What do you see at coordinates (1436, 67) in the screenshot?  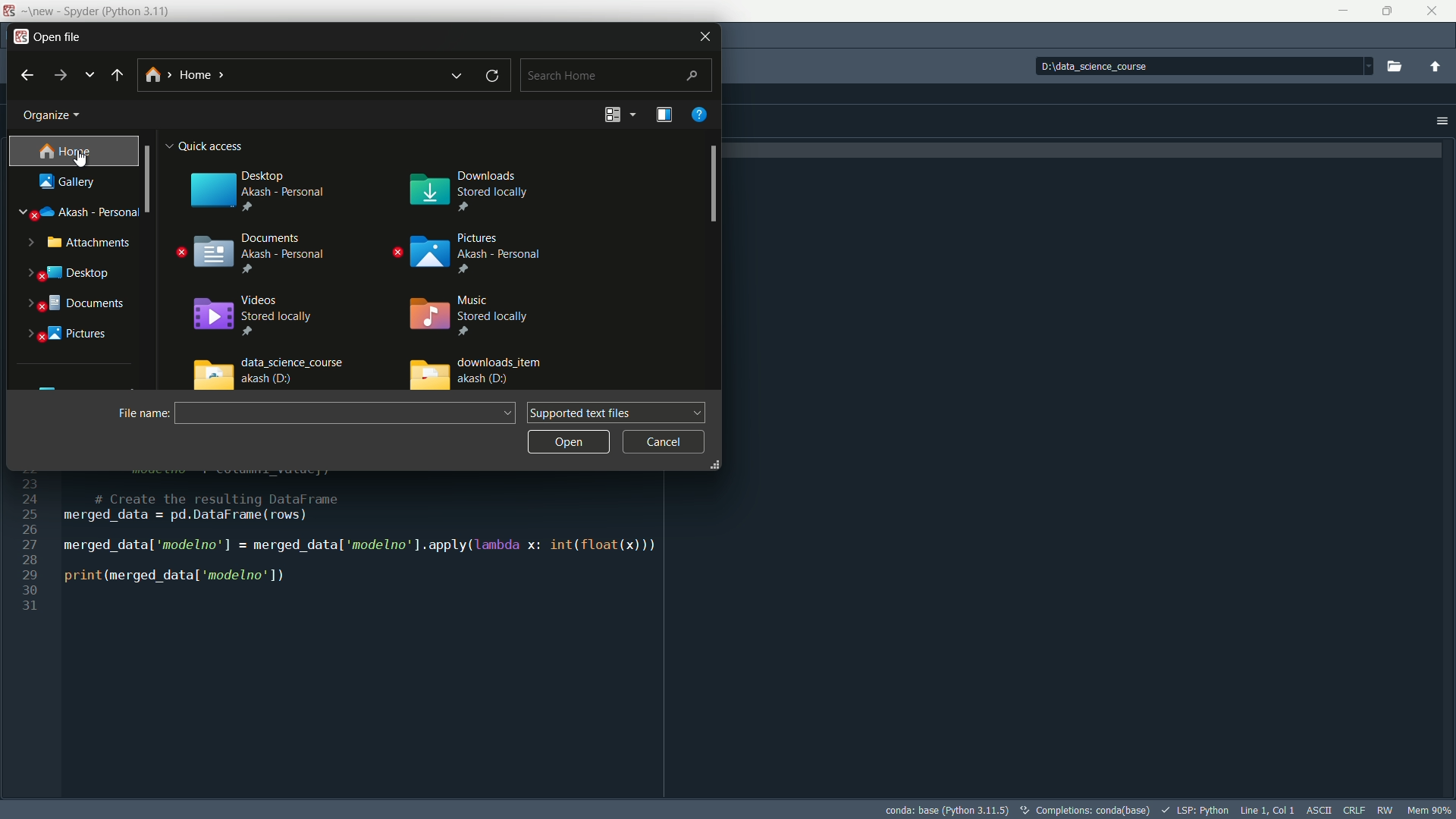 I see `change to parent directory` at bounding box center [1436, 67].